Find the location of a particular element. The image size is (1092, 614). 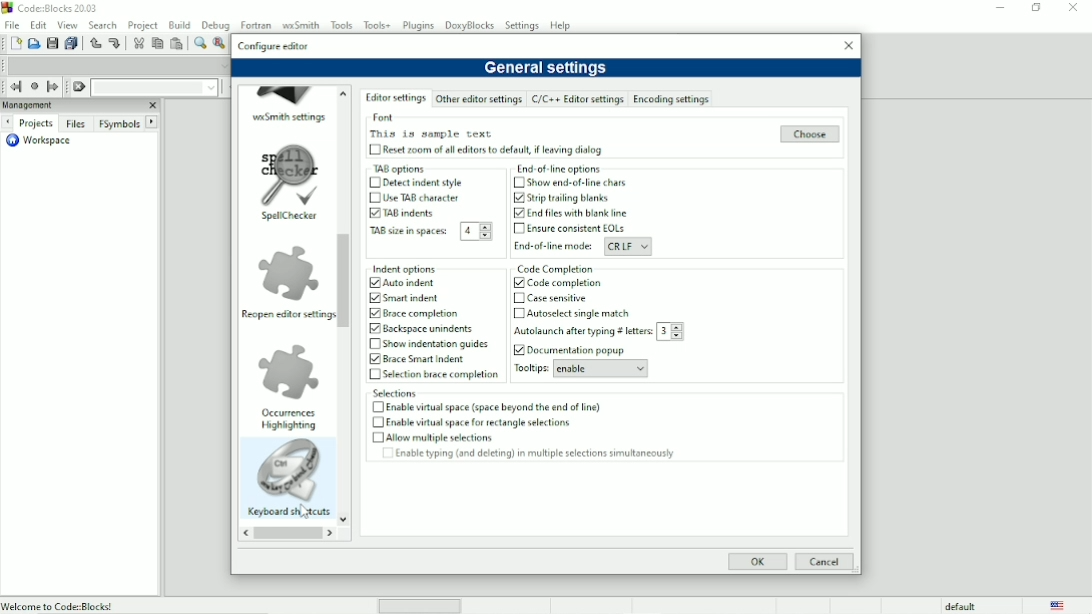

 is located at coordinates (517, 213).